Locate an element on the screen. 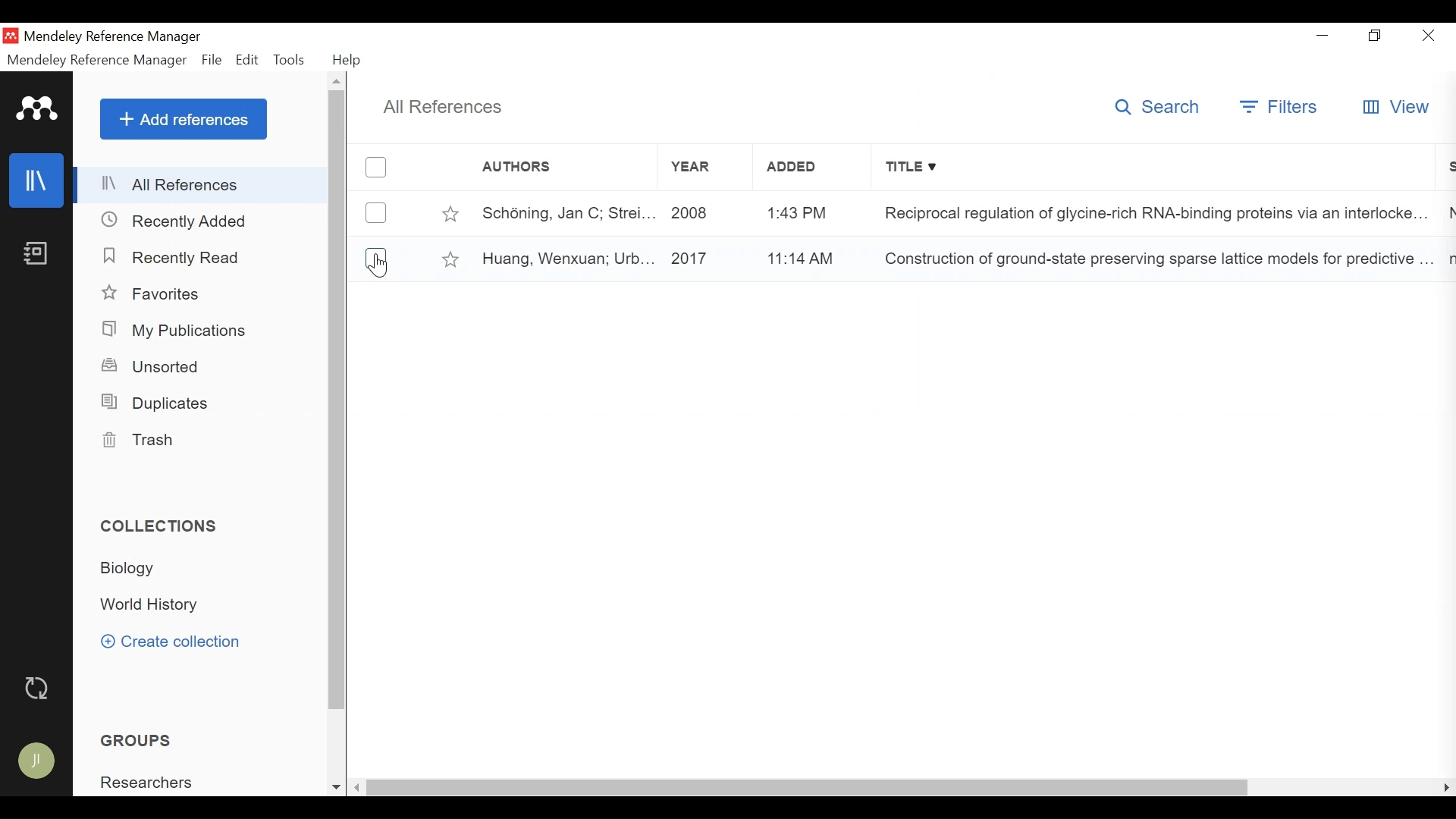  Toggle Favorites is located at coordinates (448, 214).